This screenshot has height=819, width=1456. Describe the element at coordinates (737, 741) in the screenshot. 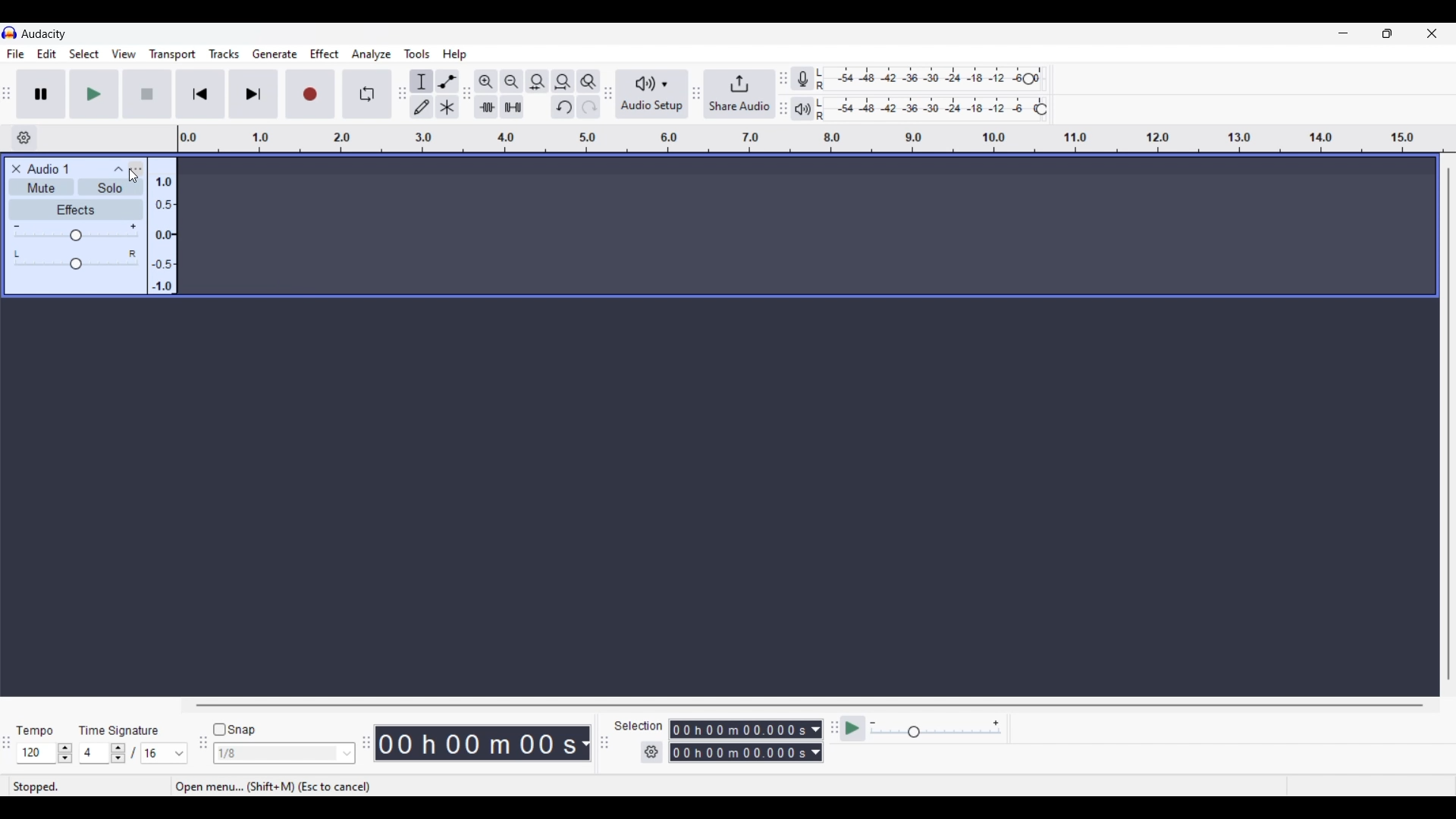

I see `Recording duration` at that location.